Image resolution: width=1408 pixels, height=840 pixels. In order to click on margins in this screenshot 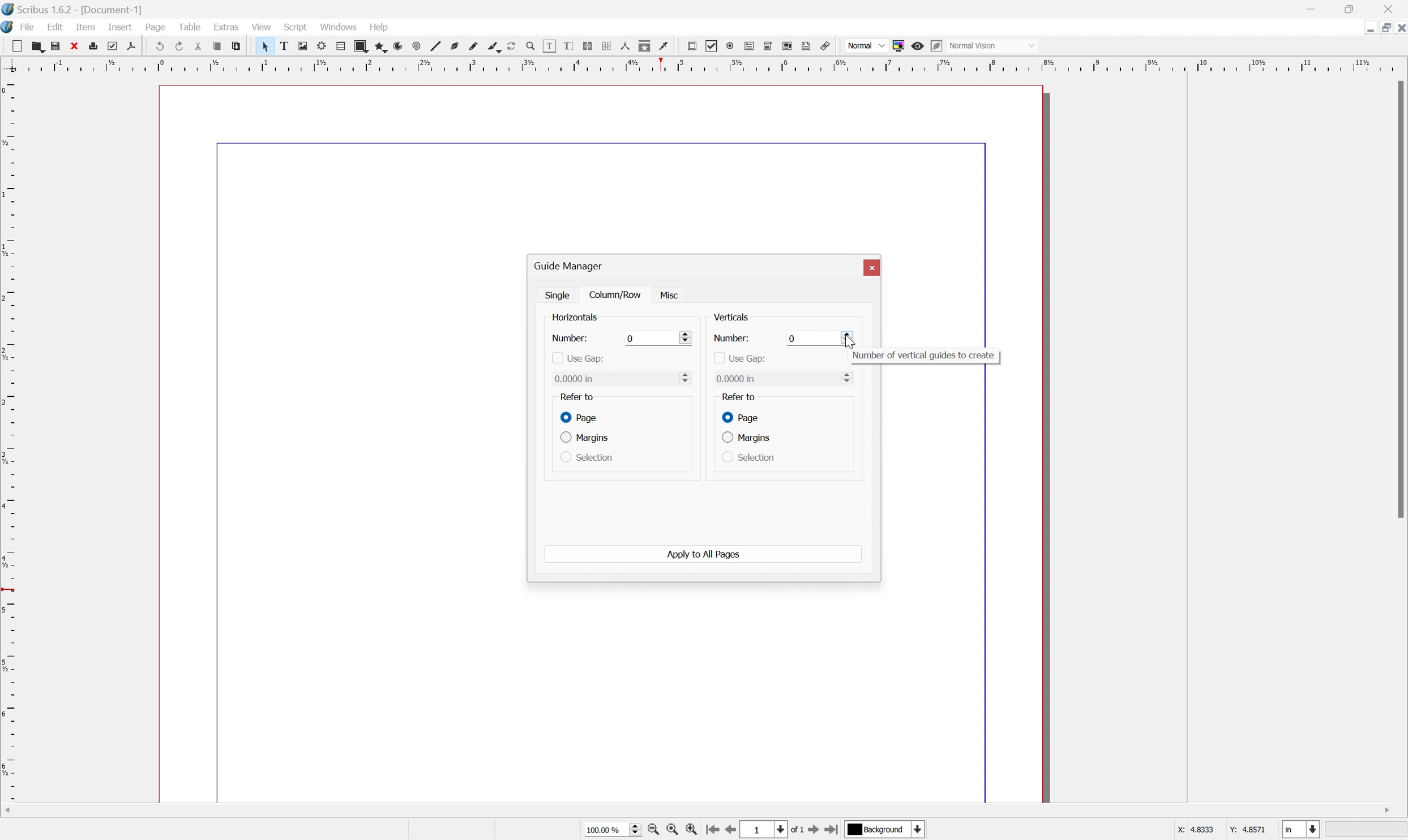, I will do `click(587, 439)`.